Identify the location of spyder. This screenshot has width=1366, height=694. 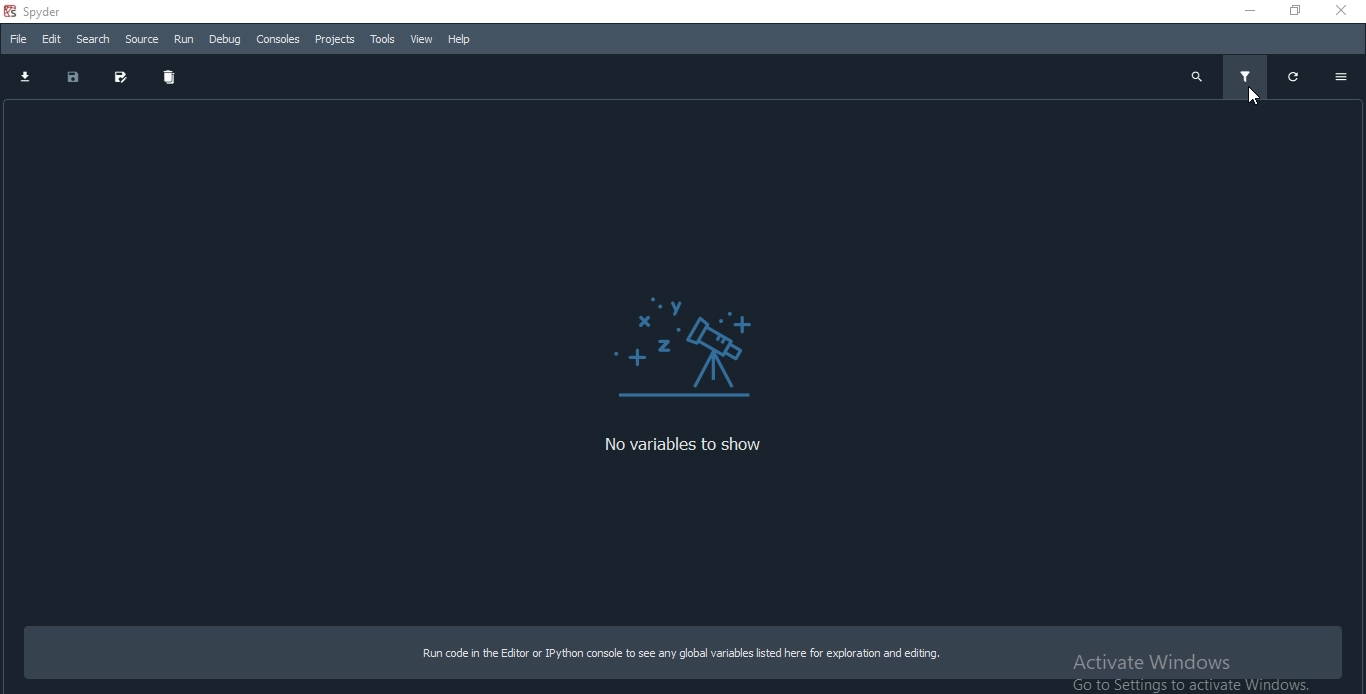
(41, 10).